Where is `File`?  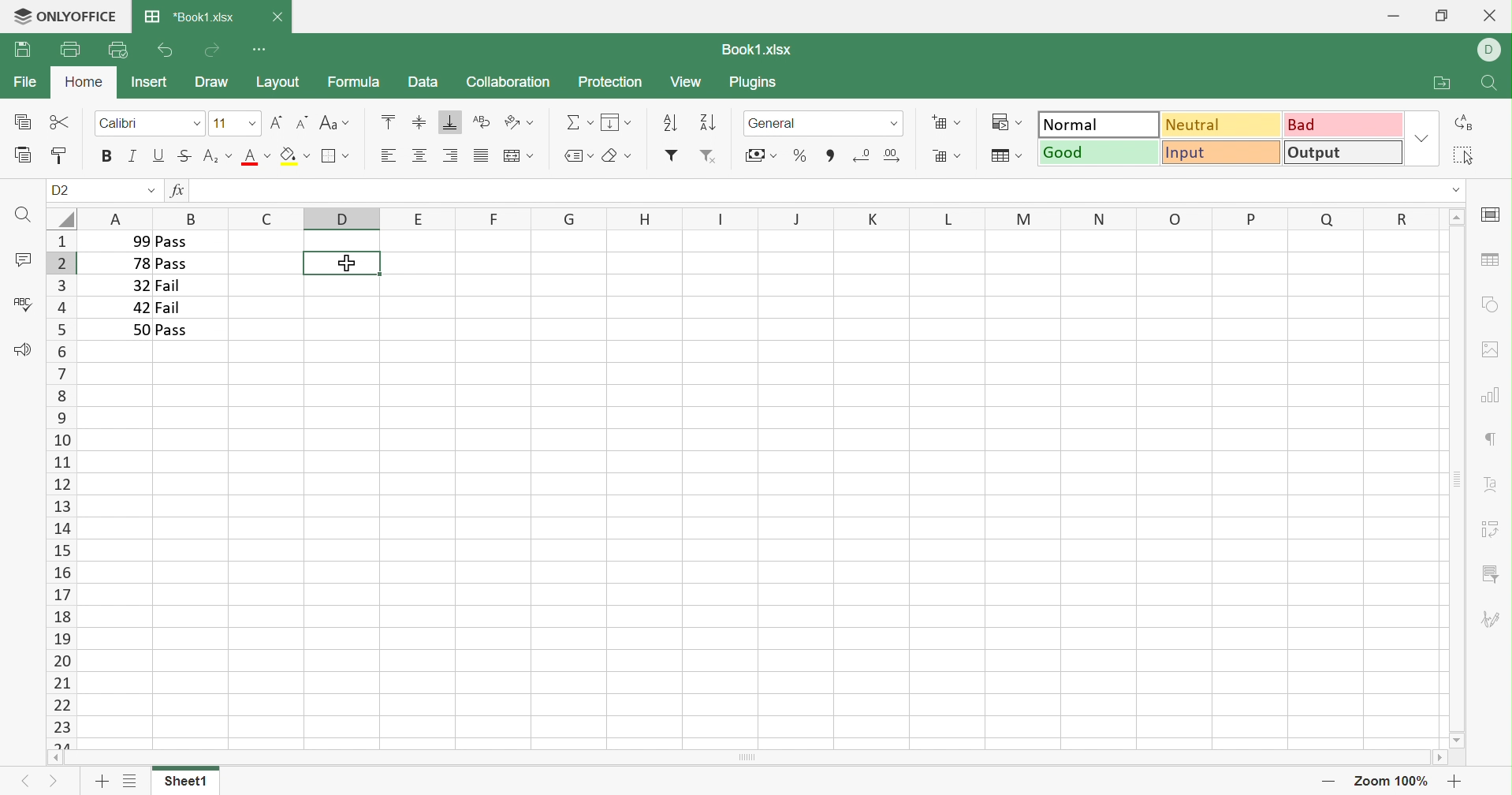 File is located at coordinates (26, 81).